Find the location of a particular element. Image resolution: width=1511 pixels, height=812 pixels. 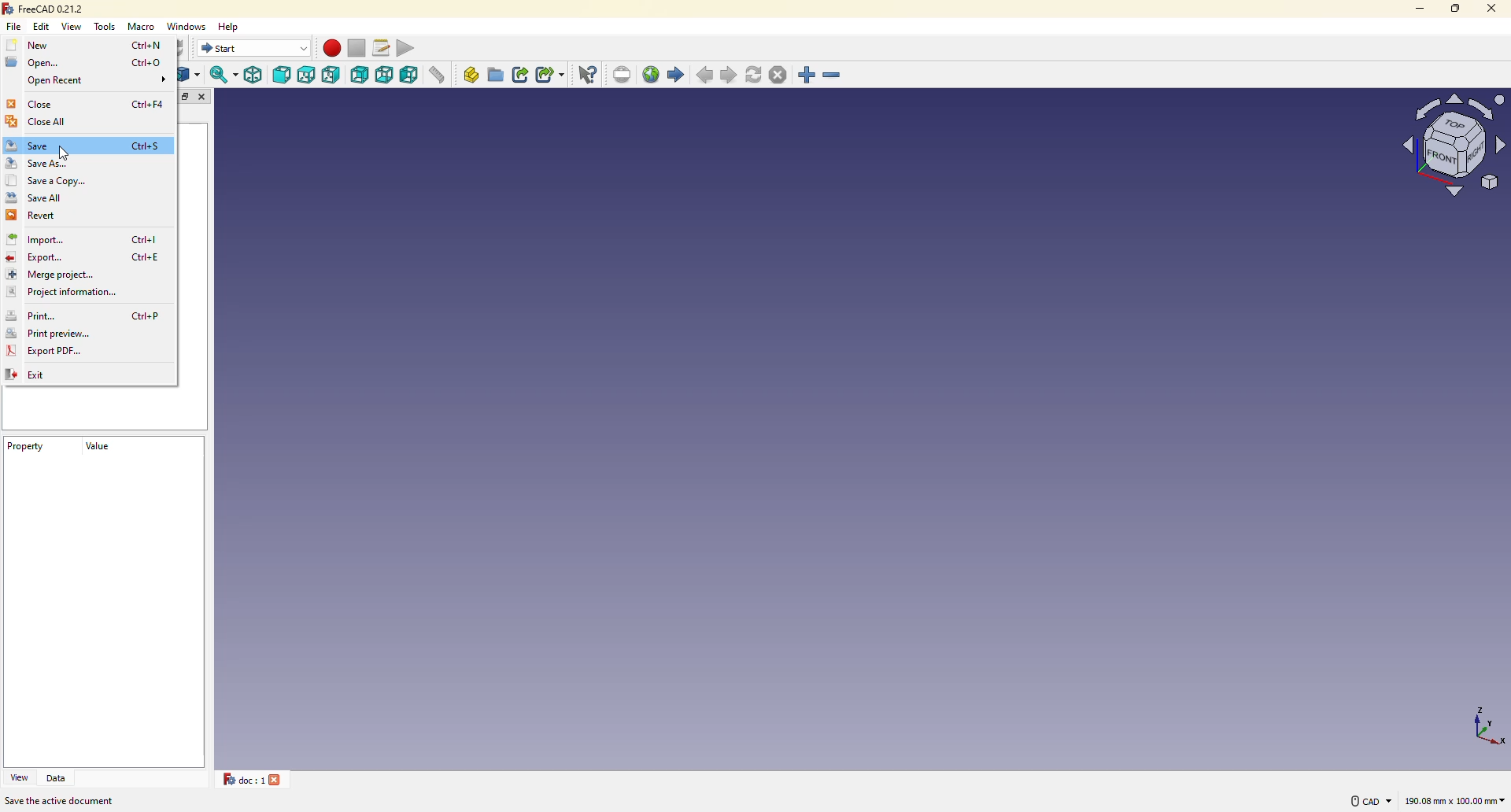

close is located at coordinates (32, 104).